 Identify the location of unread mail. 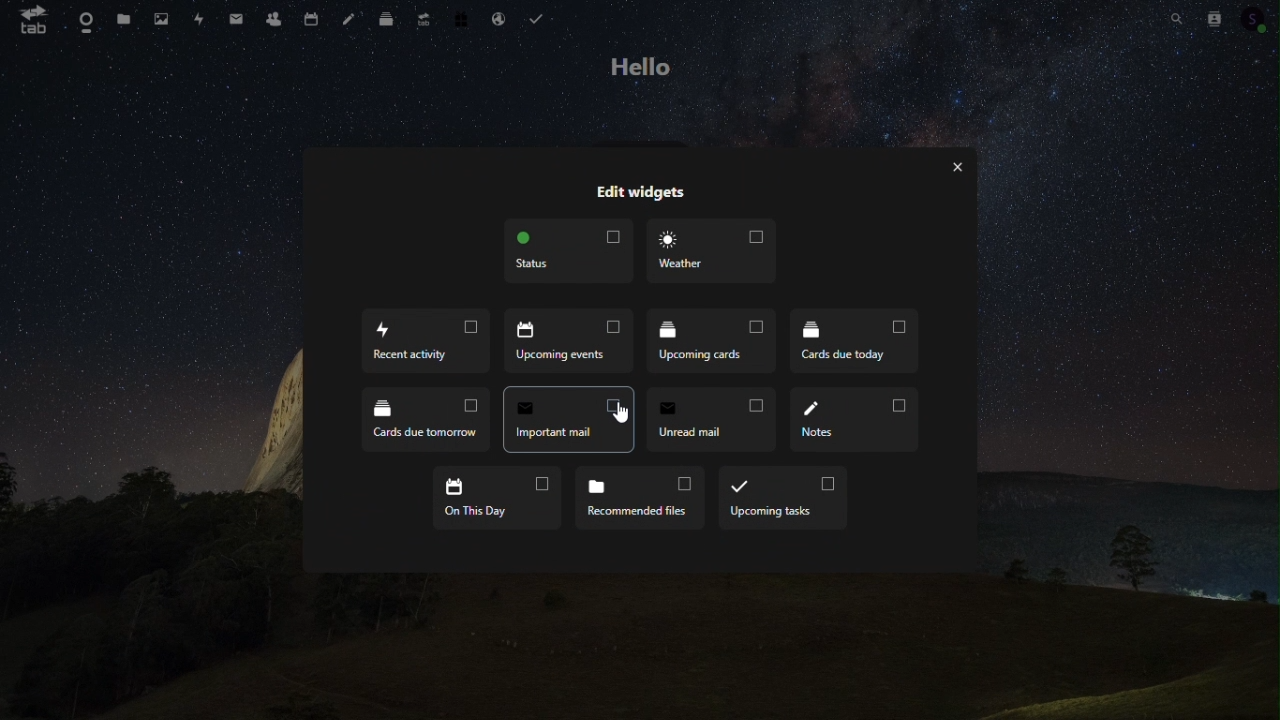
(709, 418).